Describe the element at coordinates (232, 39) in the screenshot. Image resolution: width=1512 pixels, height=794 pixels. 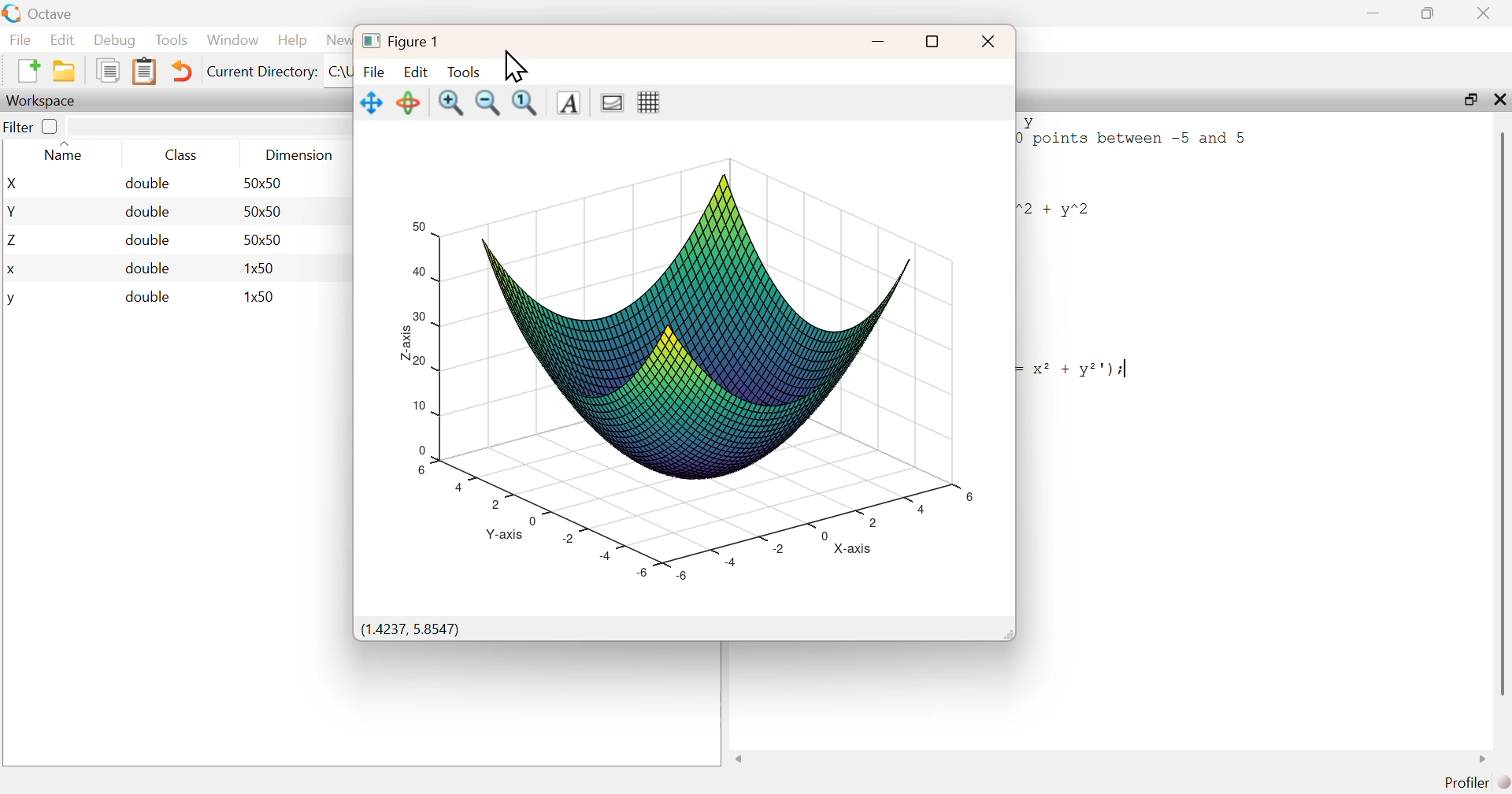
I see `Window` at that location.